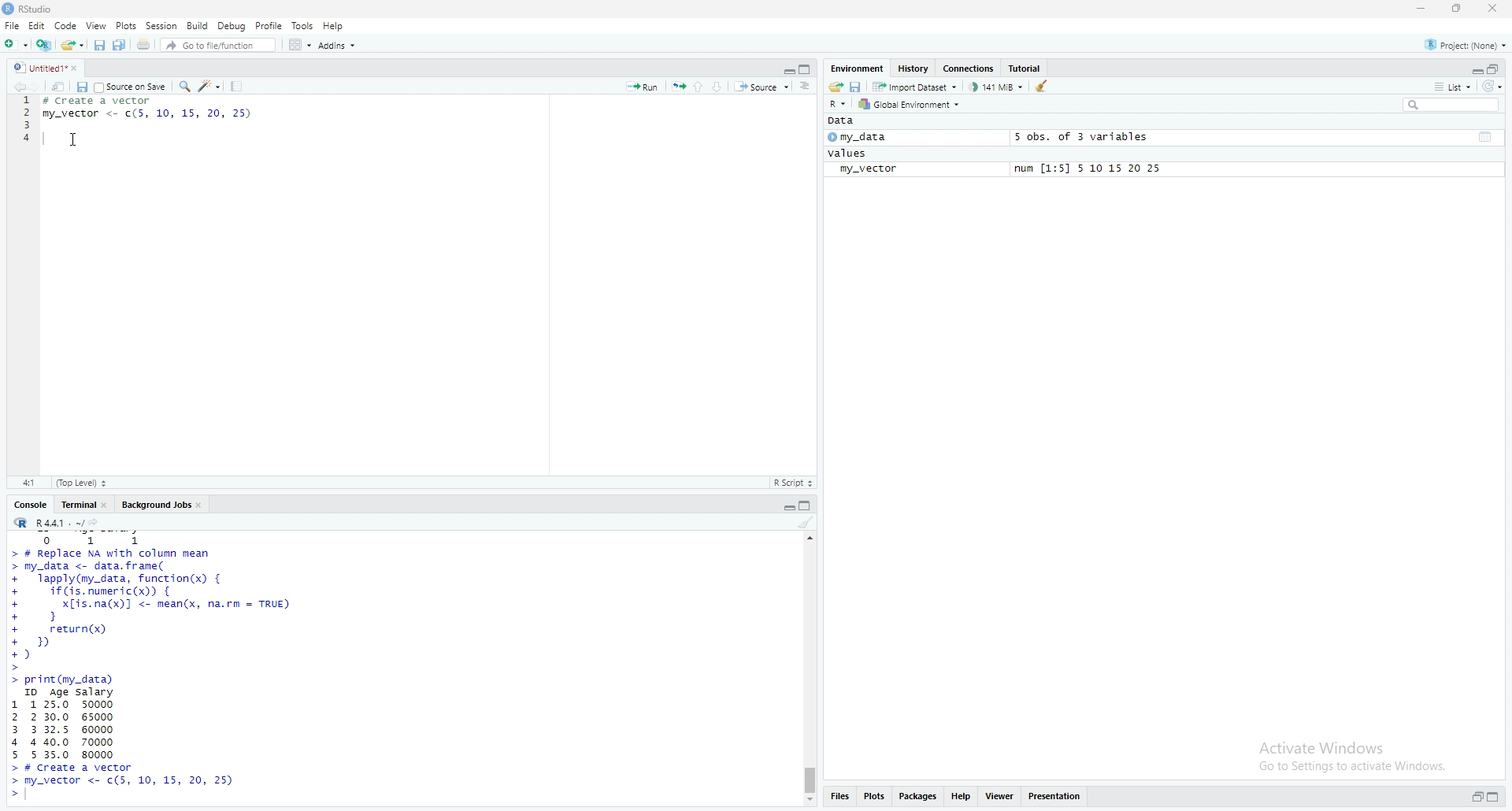 The image size is (1512, 811). What do you see at coordinates (847, 121) in the screenshot?
I see `Data` at bounding box center [847, 121].